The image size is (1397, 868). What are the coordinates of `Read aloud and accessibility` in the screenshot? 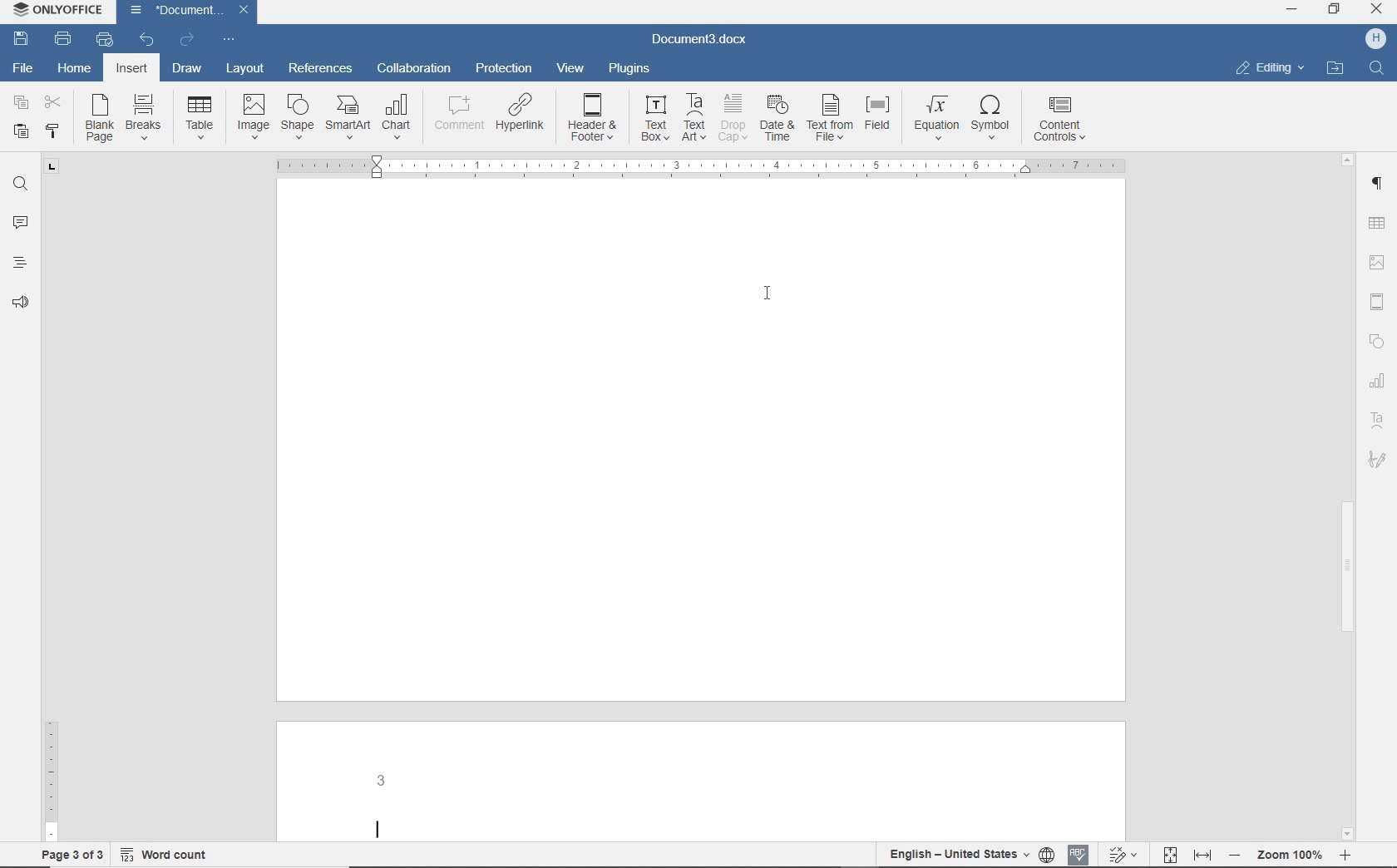 It's located at (22, 303).